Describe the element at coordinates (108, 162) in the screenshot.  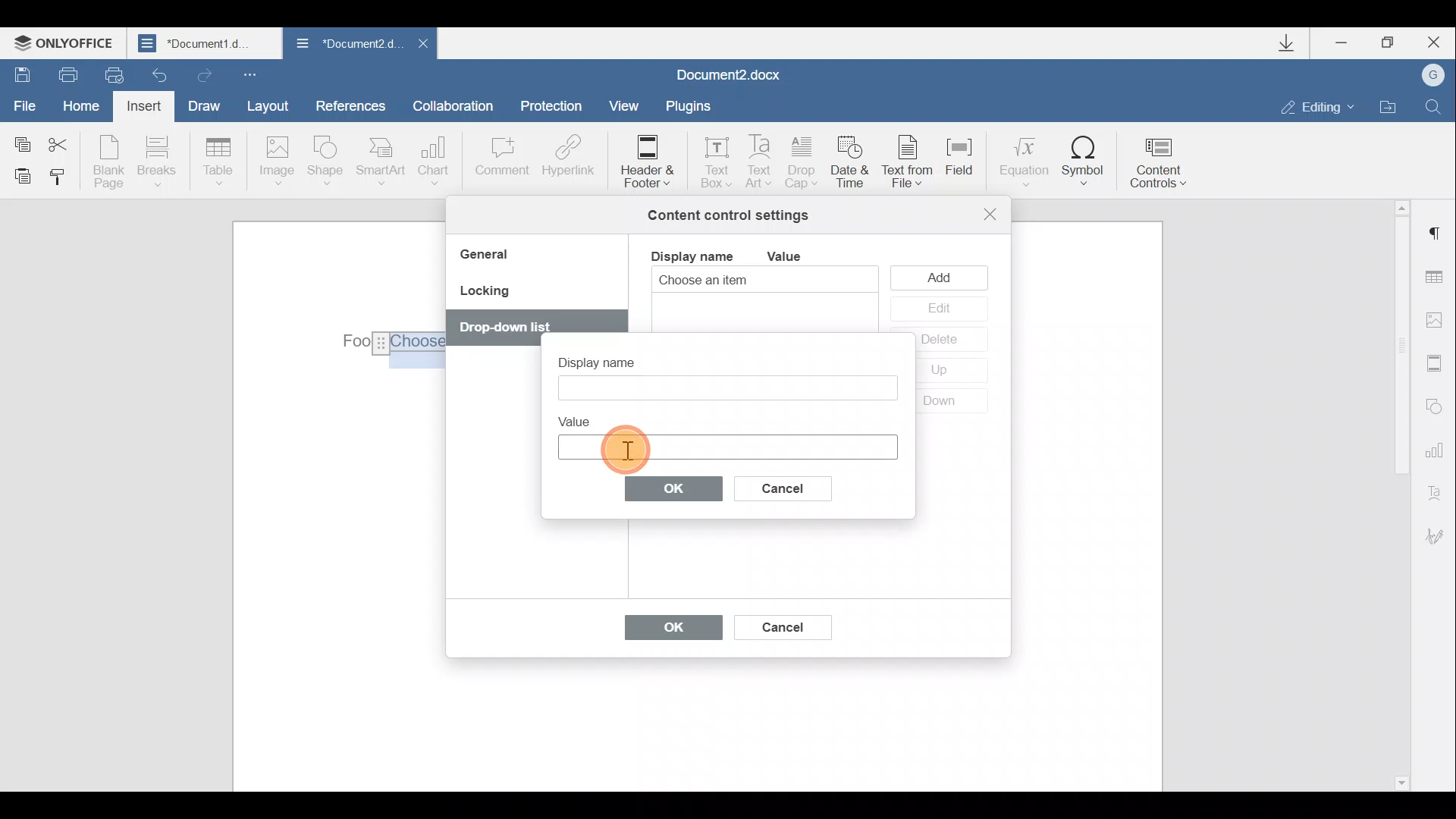
I see `Blank page` at that location.